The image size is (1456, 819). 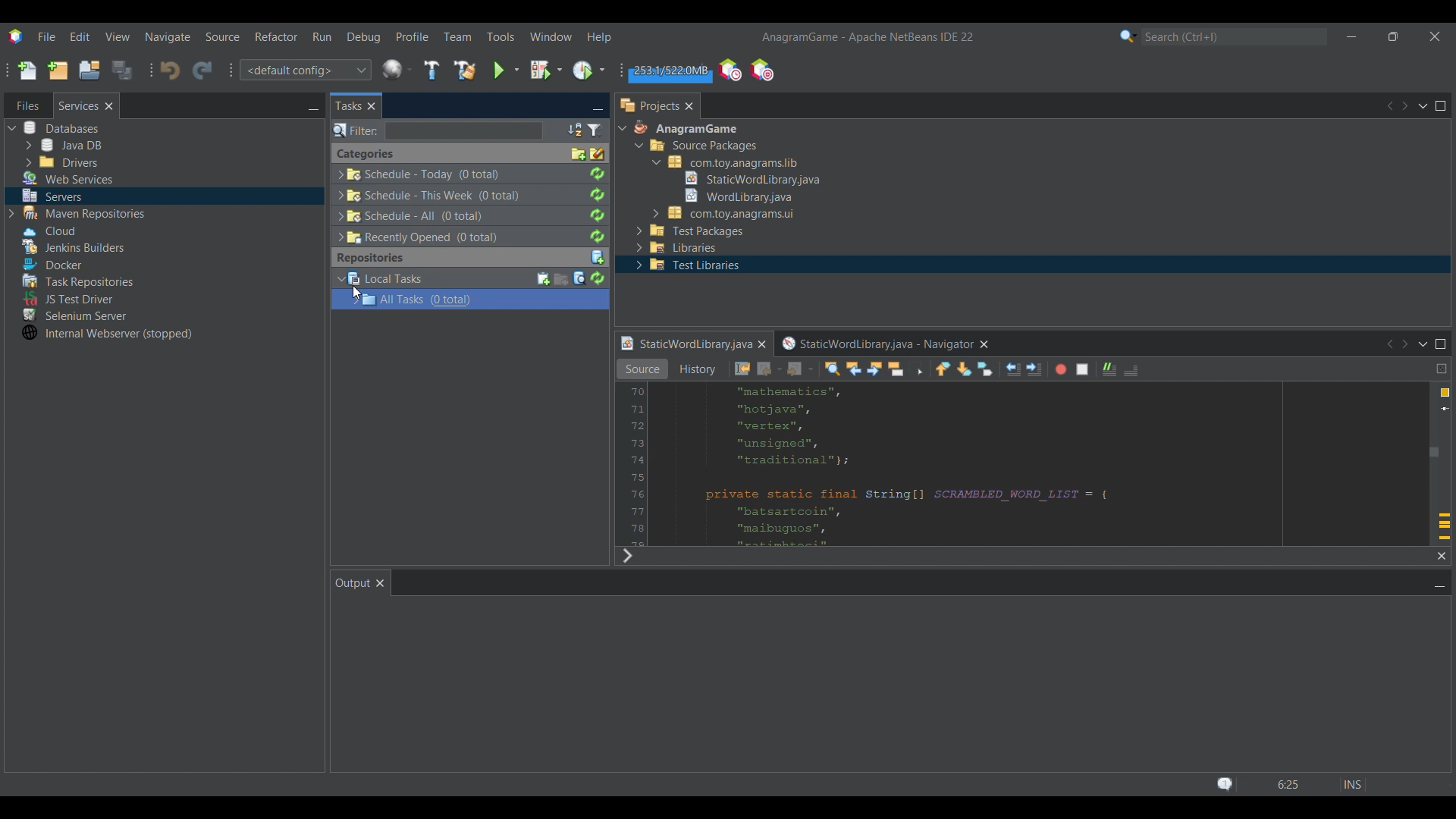 What do you see at coordinates (1105, 368) in the screenshot?
I see `` at bounding box center [1105, 368].